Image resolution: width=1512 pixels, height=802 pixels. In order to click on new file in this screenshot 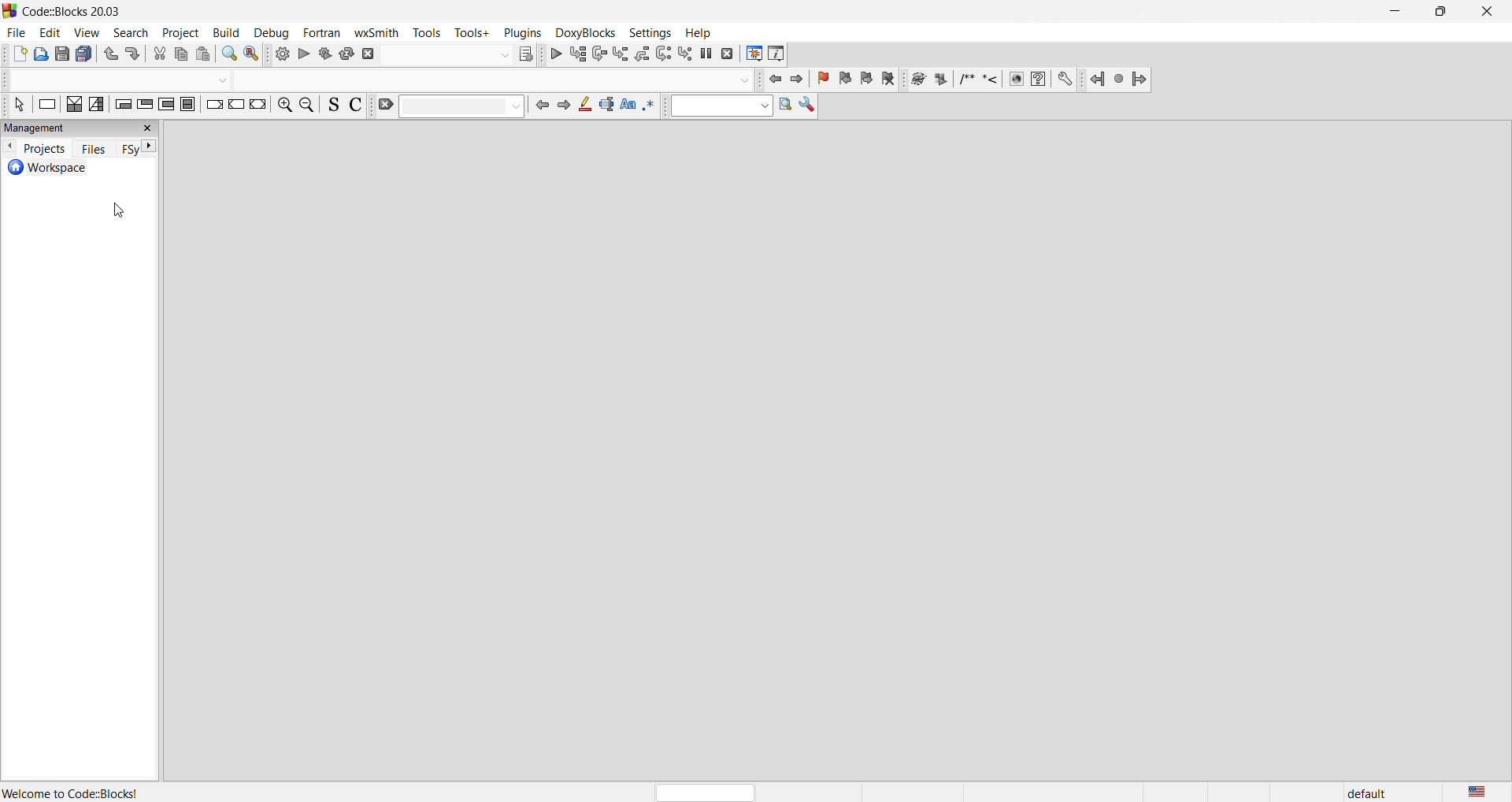, I will do `click(20, 56)`.